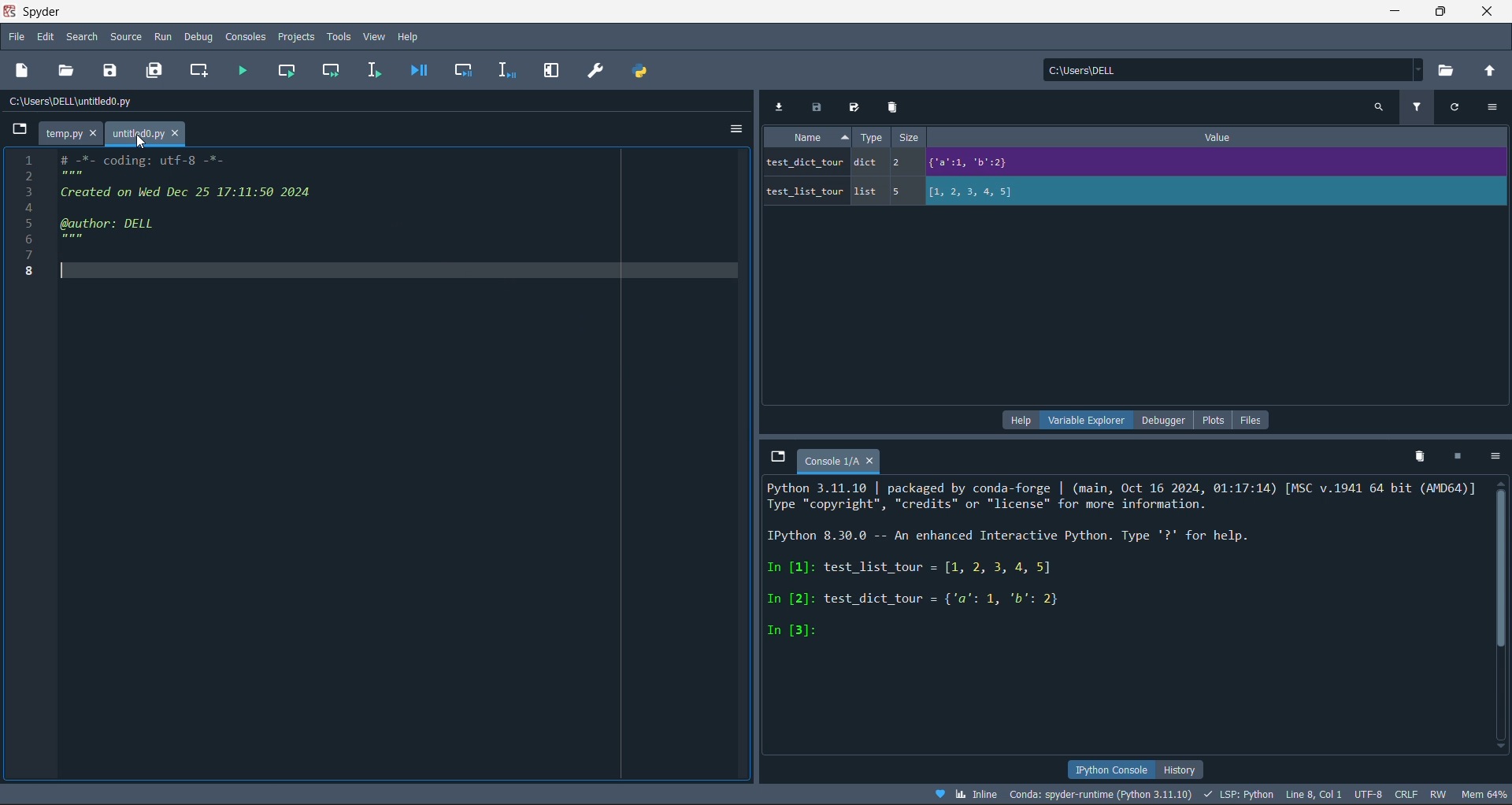  I want to click on refresh, so click(1457, 107).